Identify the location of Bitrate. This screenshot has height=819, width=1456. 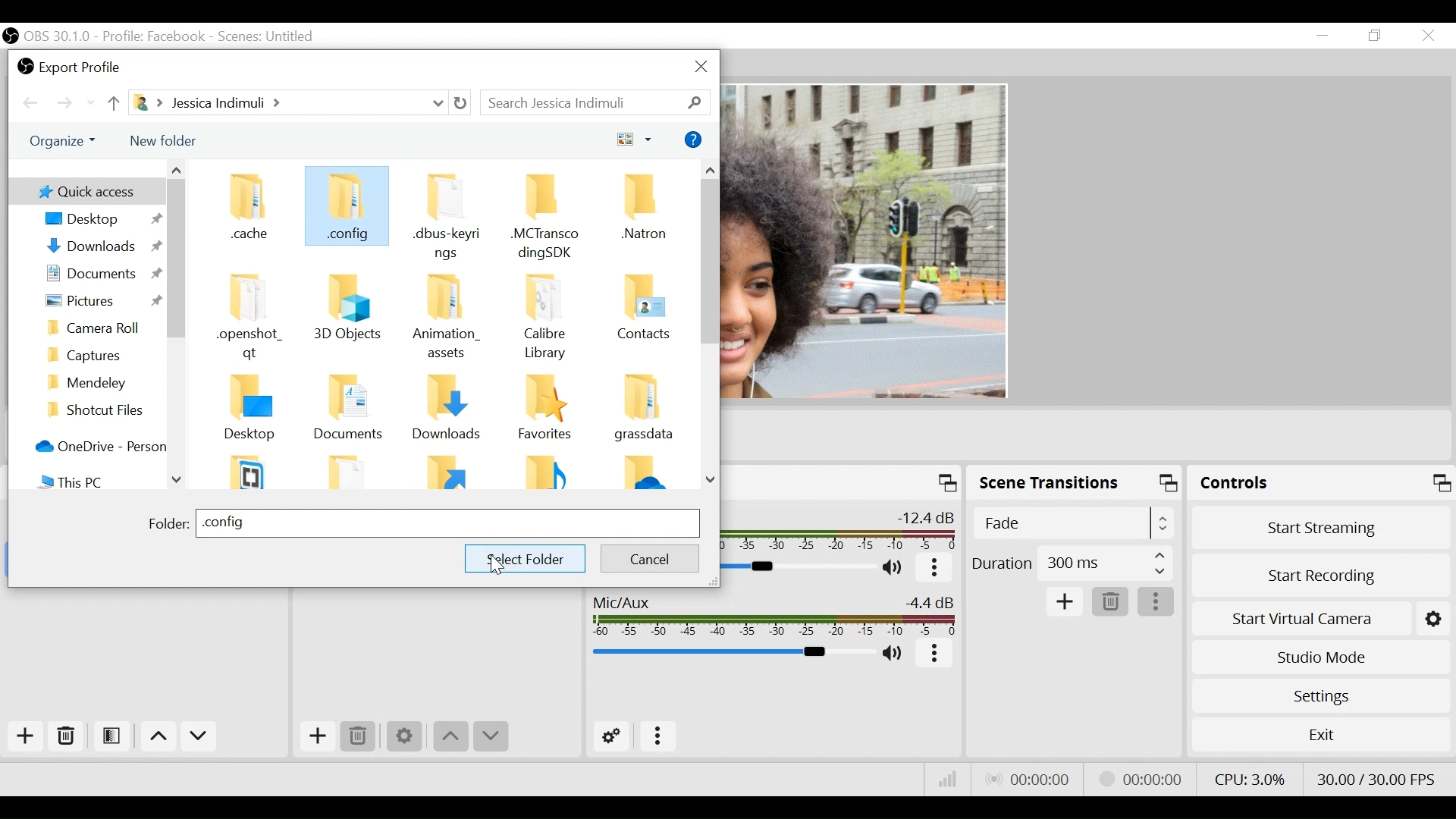
(948, 779).